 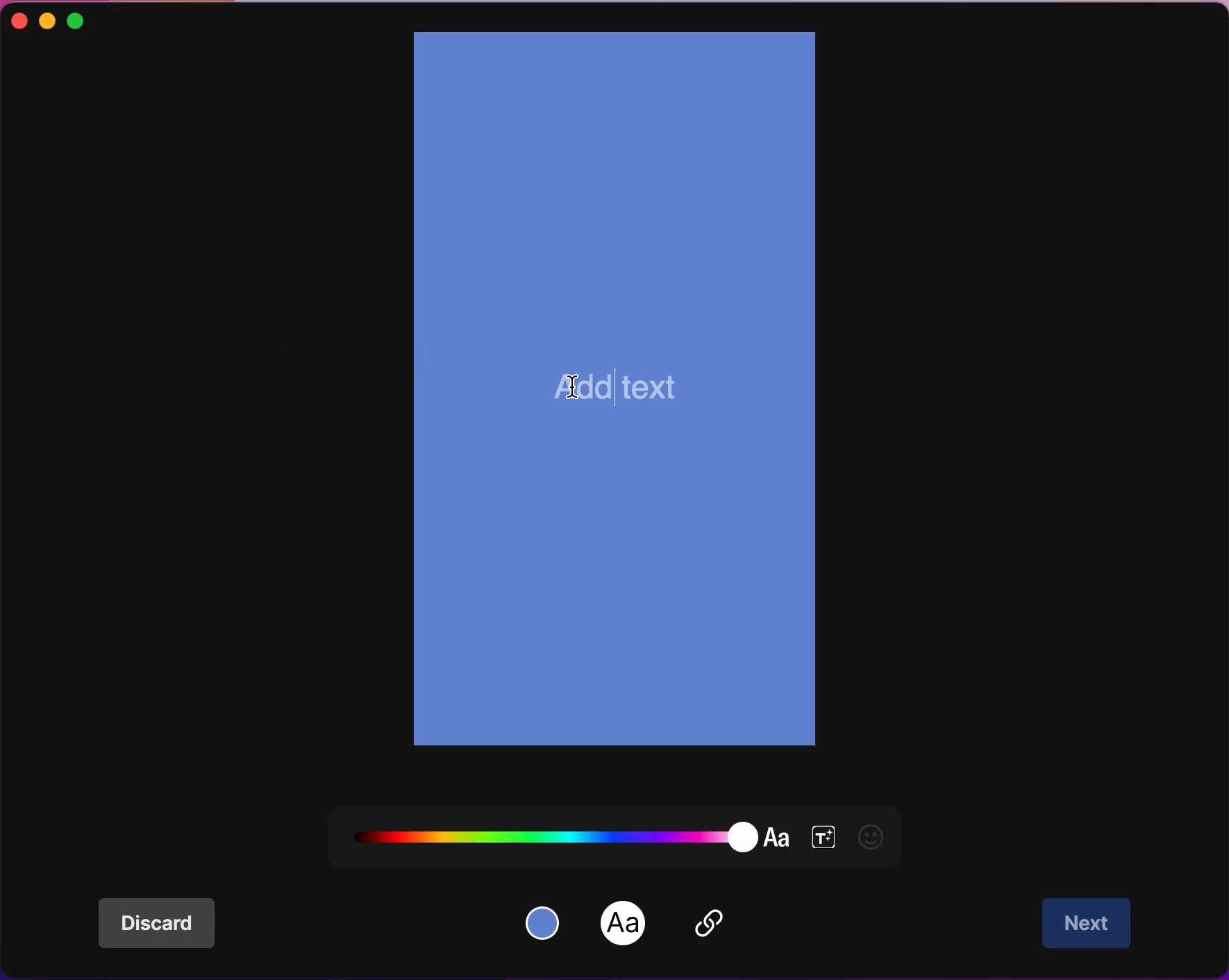 I want to click on discard, so click(x=165, y=924).